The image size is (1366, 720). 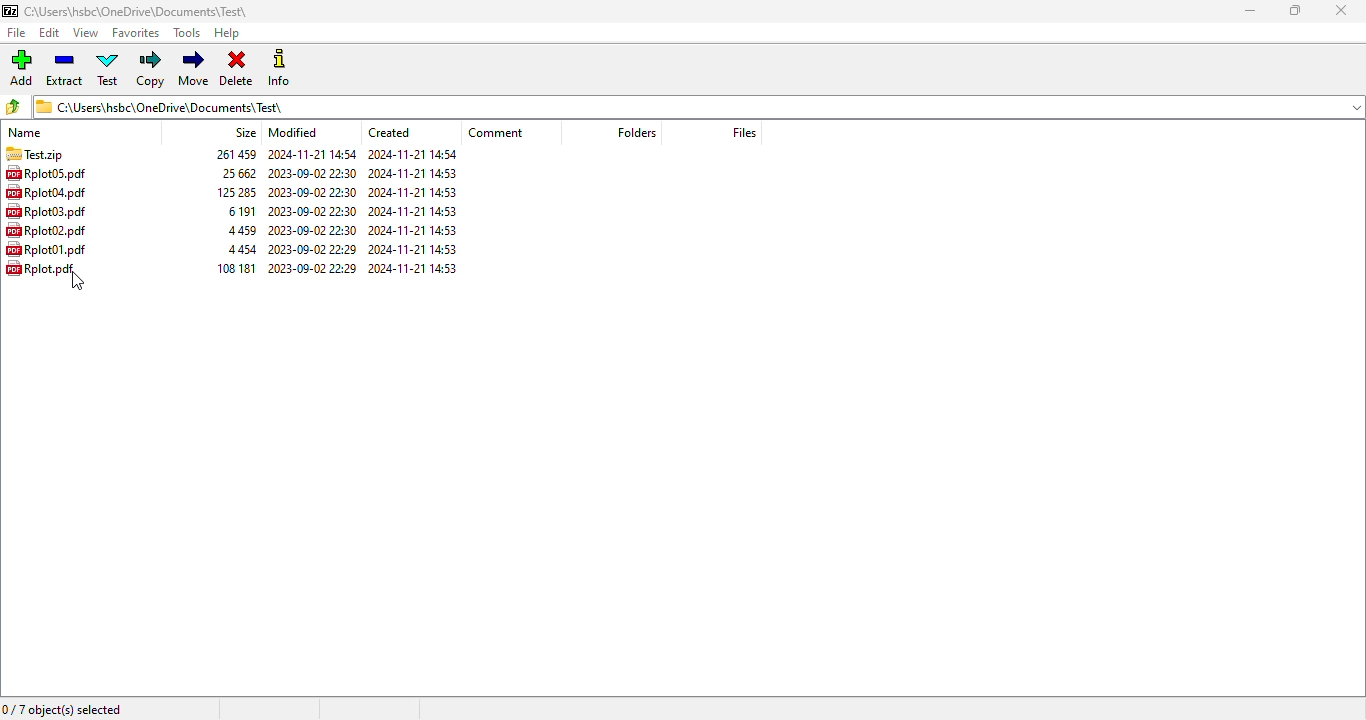 What do you see at coordinates (86, 33) in the screenshot?
I see `view` at bounding box center [86, 33].